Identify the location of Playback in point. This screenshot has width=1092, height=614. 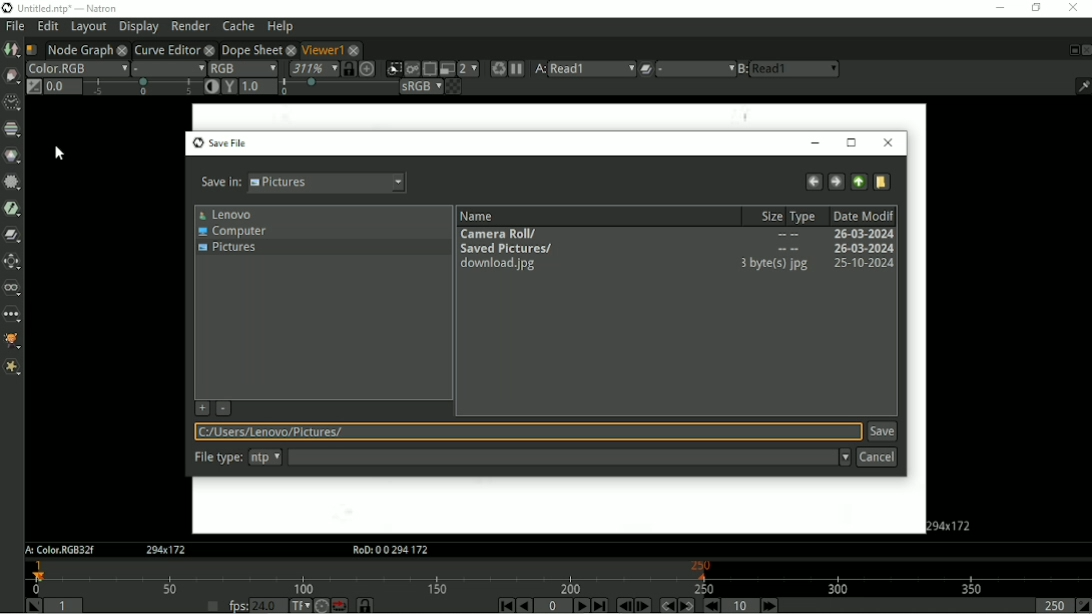
(63, 606).